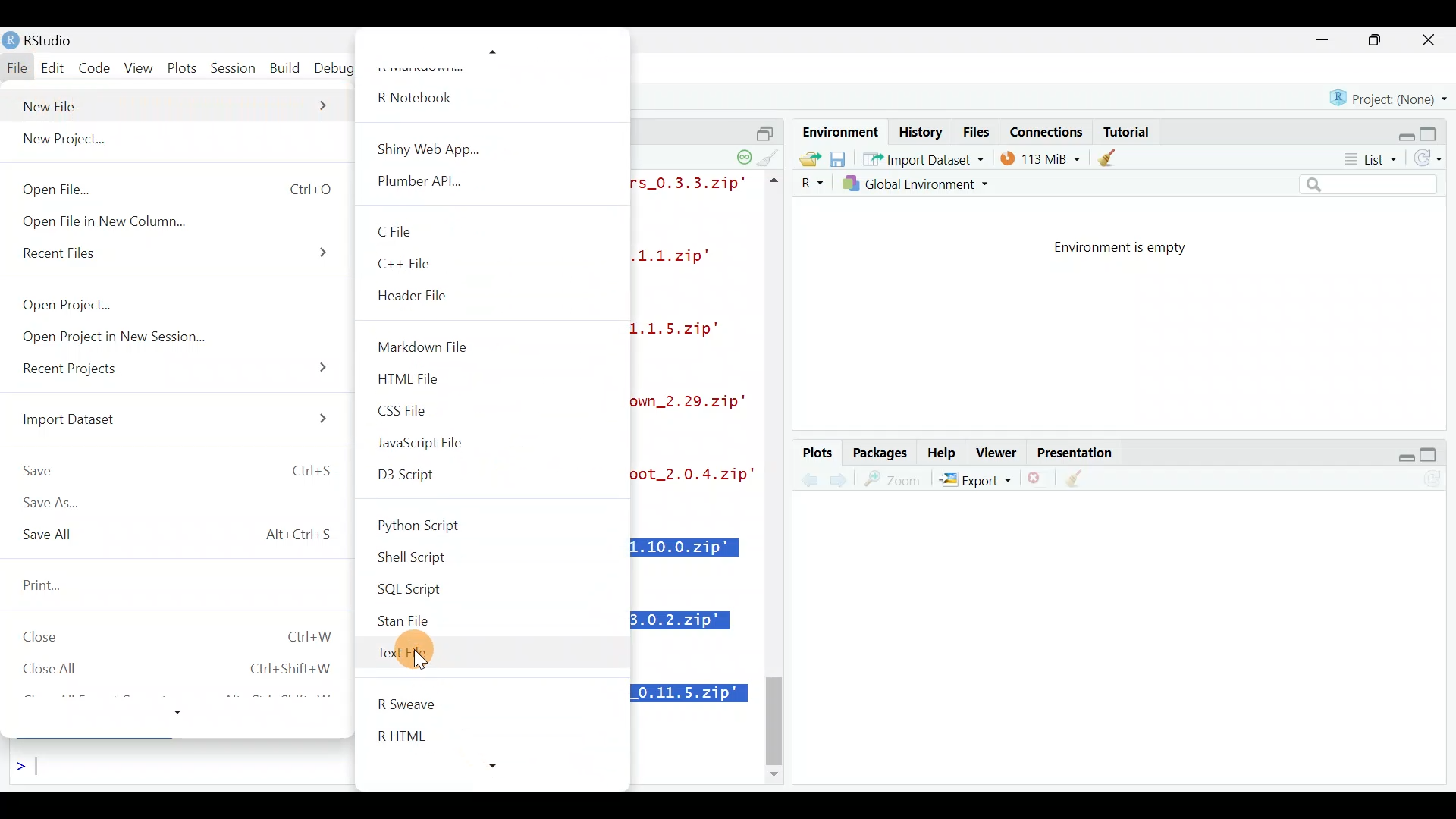 This screenshot has width=1456, height=819. Describe the element at coordinates (174, 368) in the screenshot. I see `Recent Projects ` at that location.